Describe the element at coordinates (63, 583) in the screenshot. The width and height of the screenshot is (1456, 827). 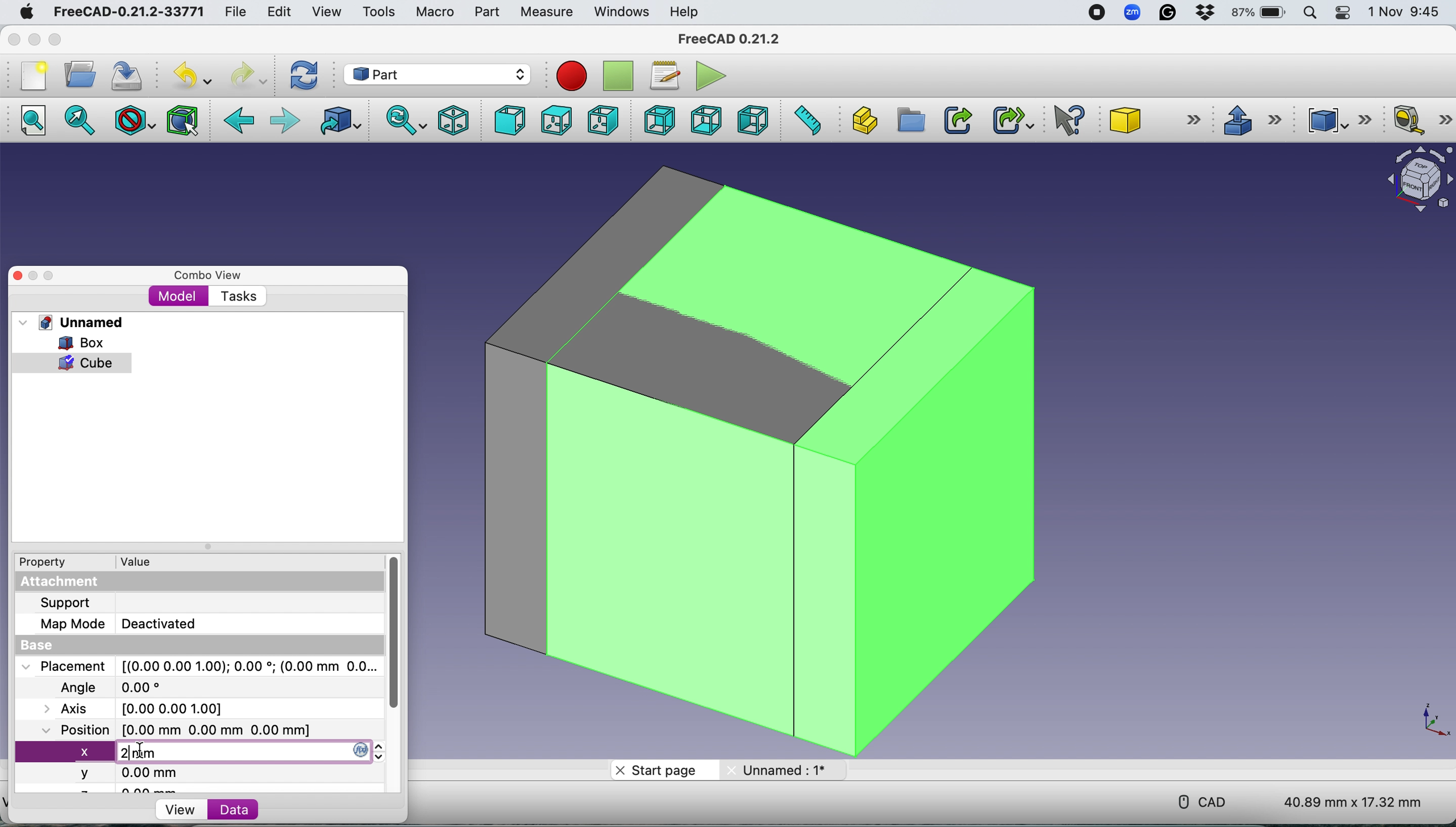
I see `Attachment` at that location.